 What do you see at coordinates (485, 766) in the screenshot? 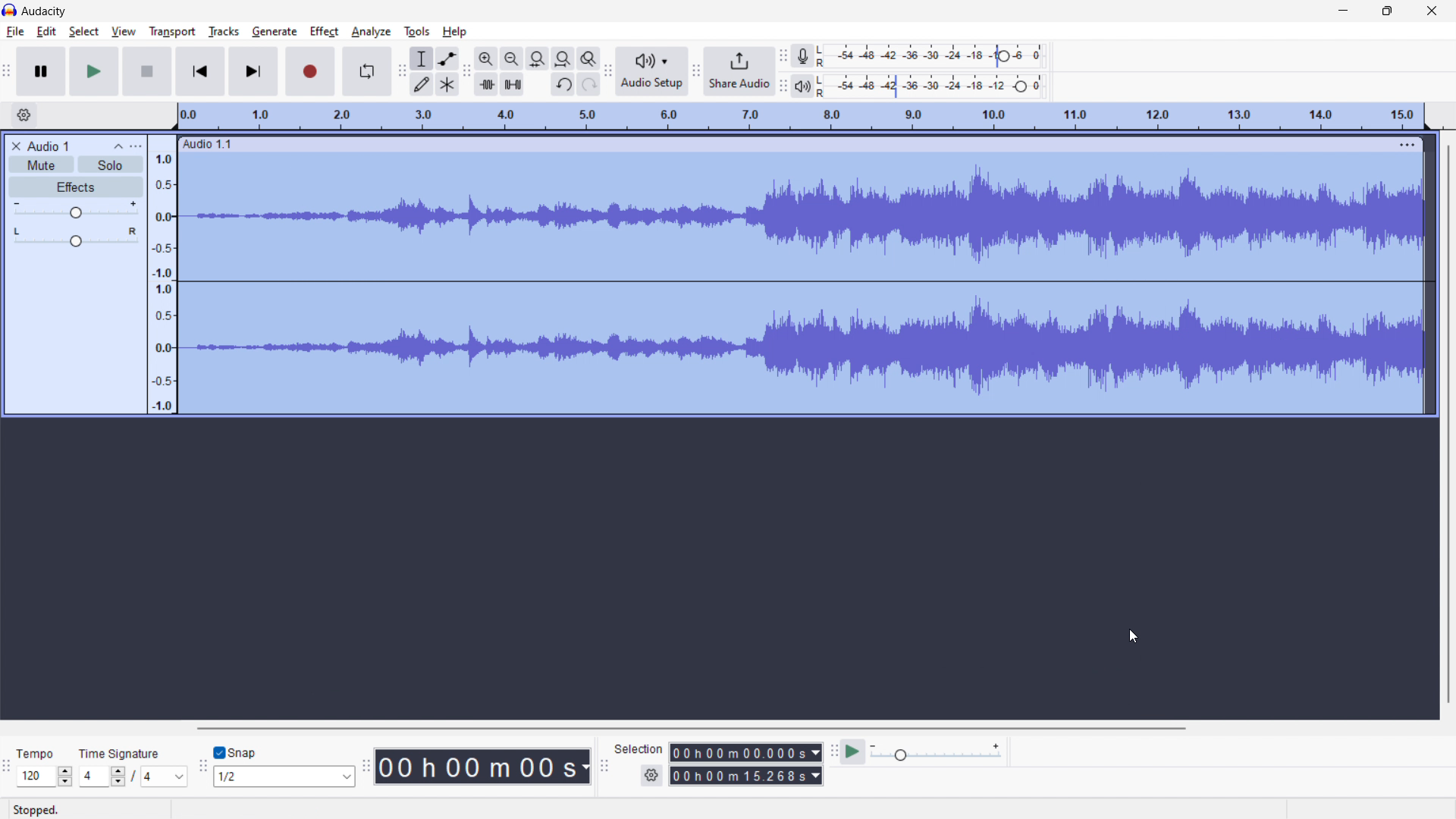
I see `00h 00 m 00 s 9timestamp)` at bounding box center [485, 766].